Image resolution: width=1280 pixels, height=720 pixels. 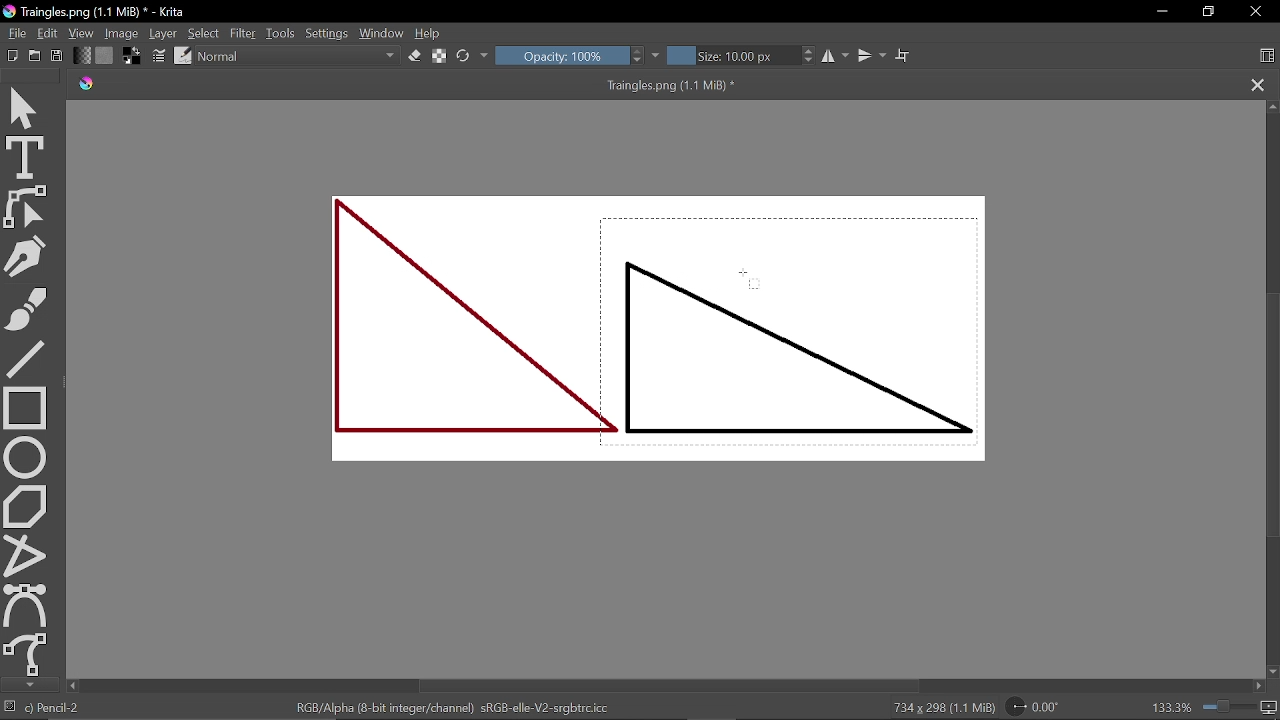 What do you see at coordinates (82, 56) in the screenshot?
I see `Fill pattern` at bounding box center [82, 56].